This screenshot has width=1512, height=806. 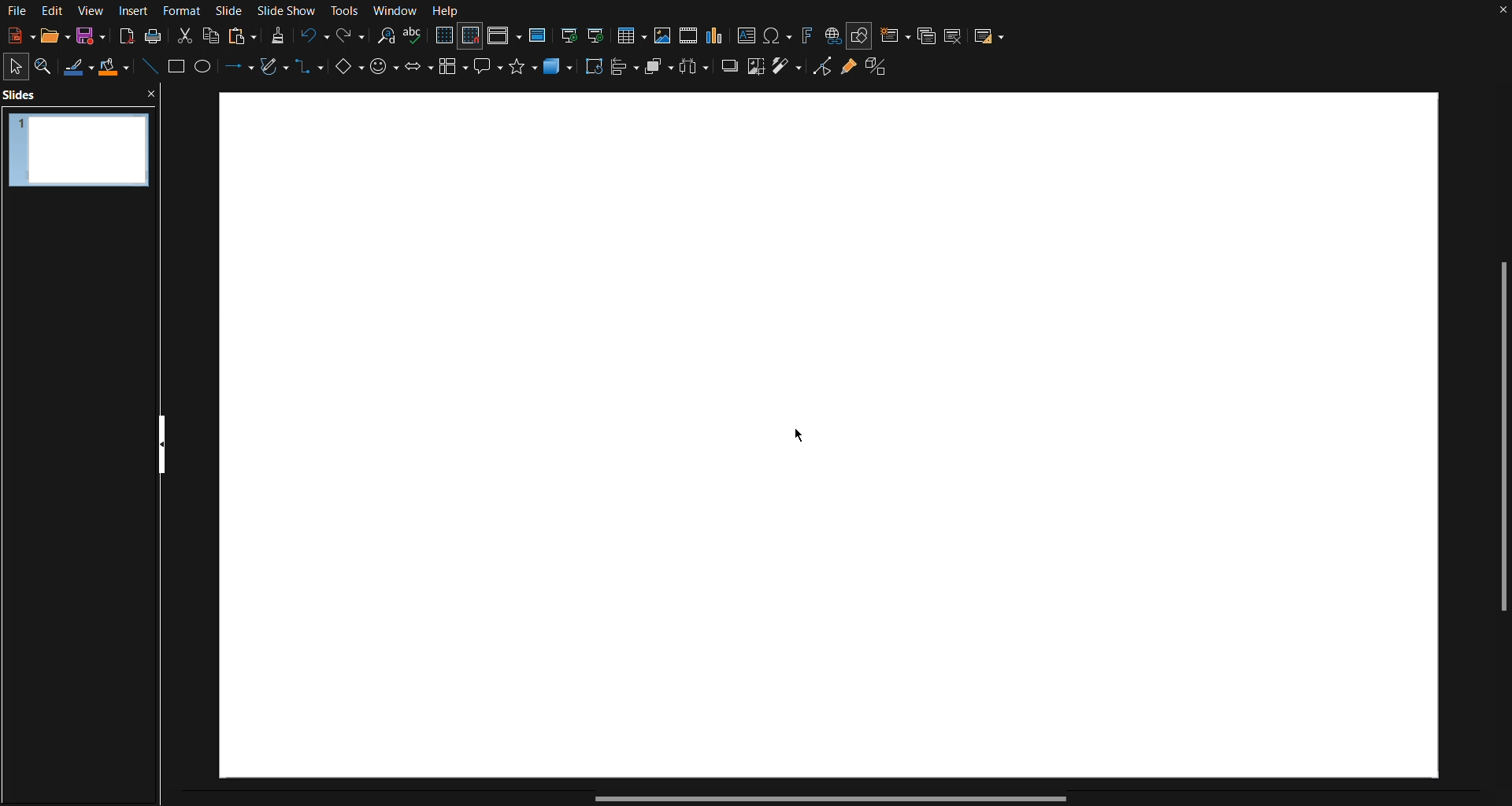 I want to click on Square, so click(x=178, y=69).